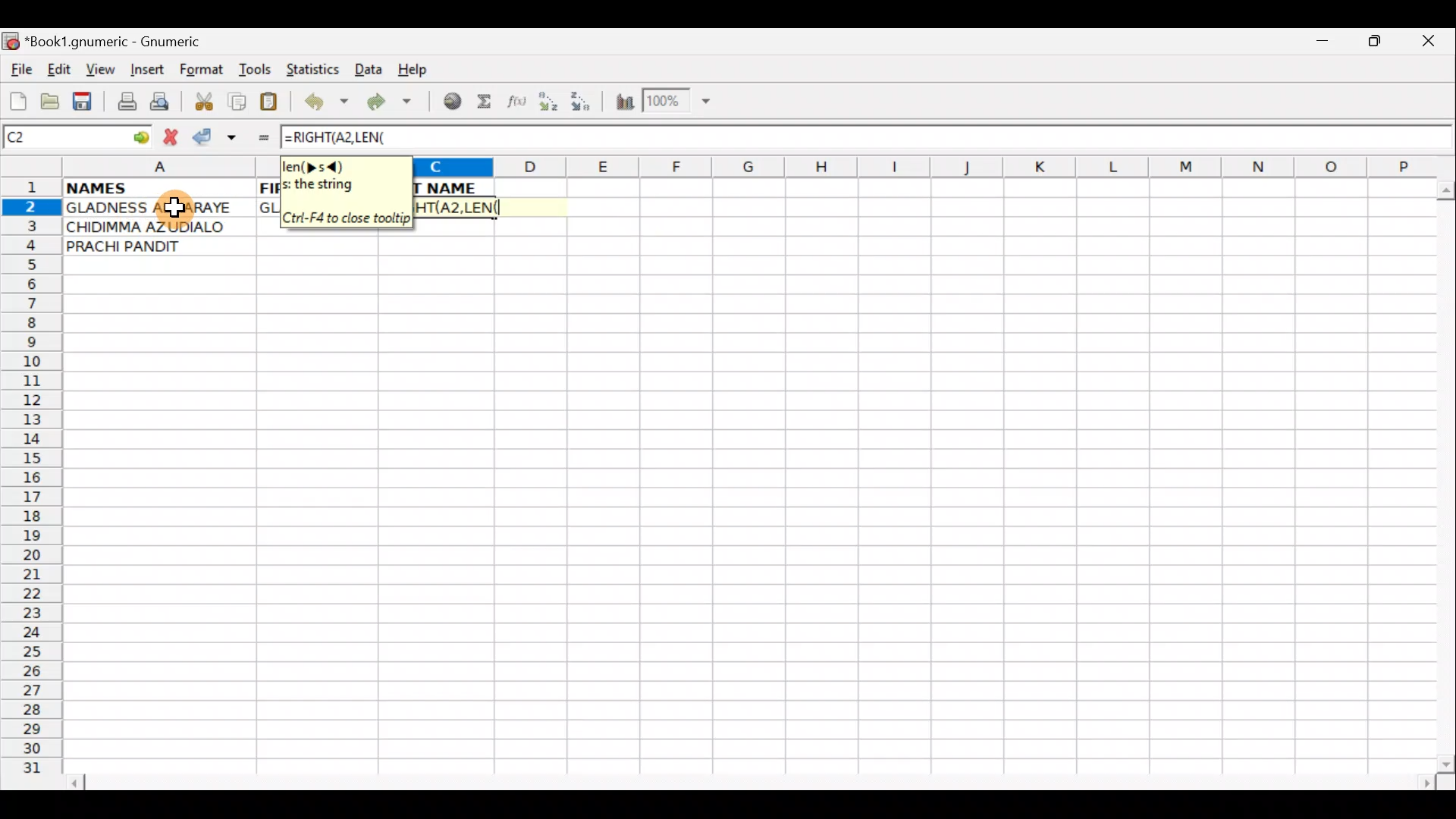 Image resolution: width=1456 pixels, height=819 pixels. What do you see at coordinates (679, 103) in the screenshot?
I see `Zoom` at bounding box center [679, 103].